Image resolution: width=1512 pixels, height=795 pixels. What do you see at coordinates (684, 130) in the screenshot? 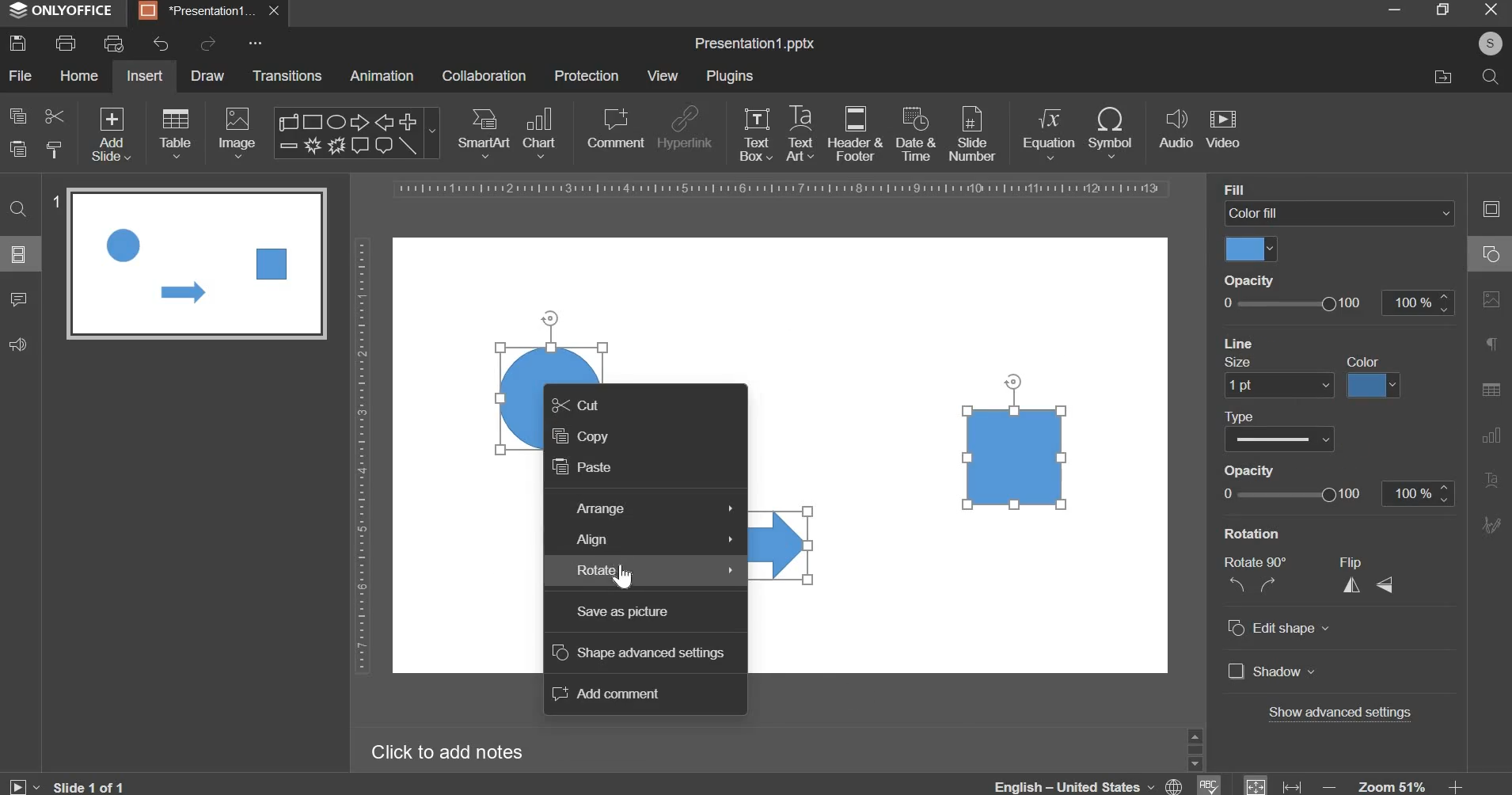
I see `hyperlink` at bounding box center [684, 130].